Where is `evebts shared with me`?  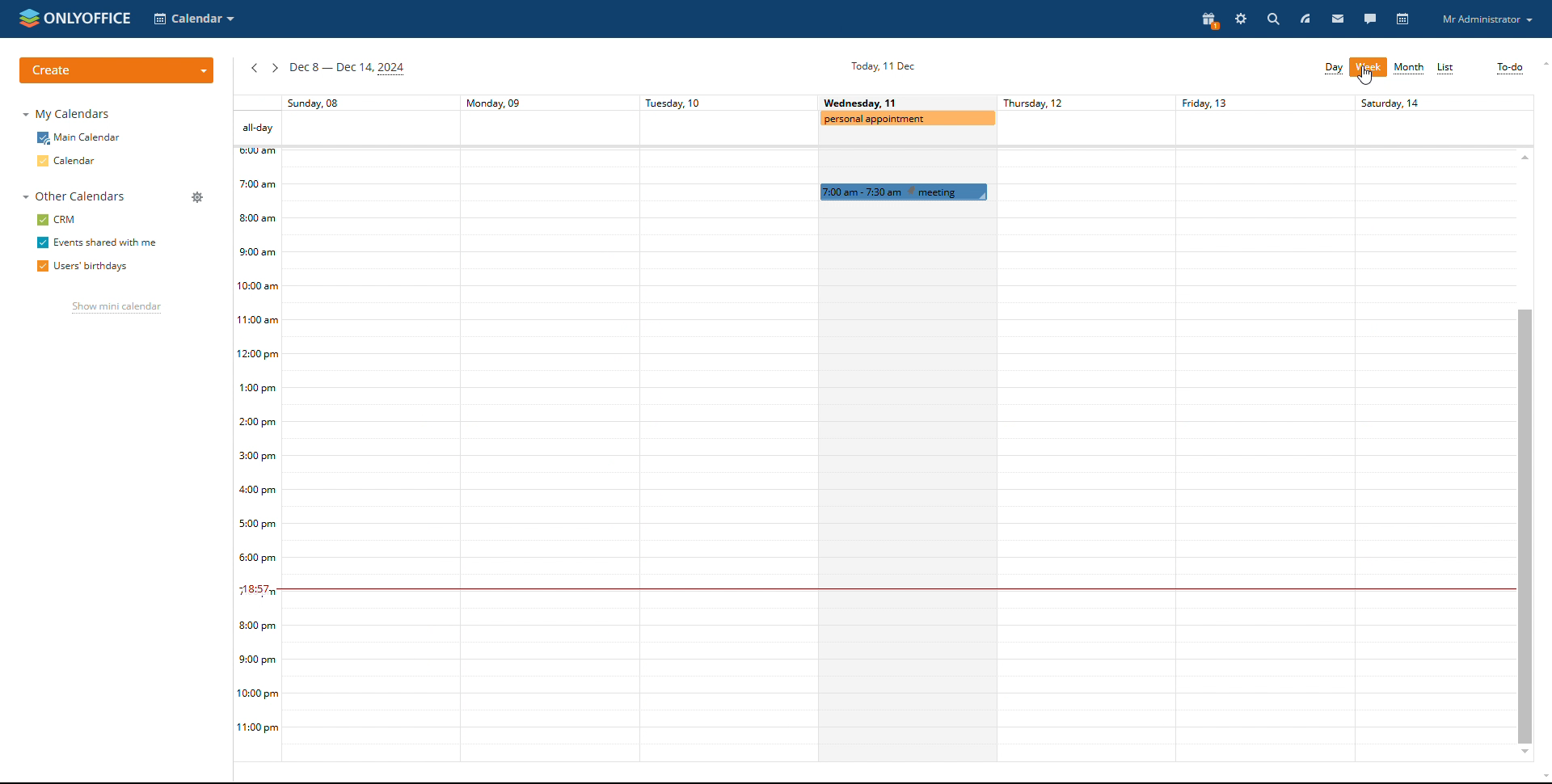 evebts shared with me is located at coordinates (99, 242).